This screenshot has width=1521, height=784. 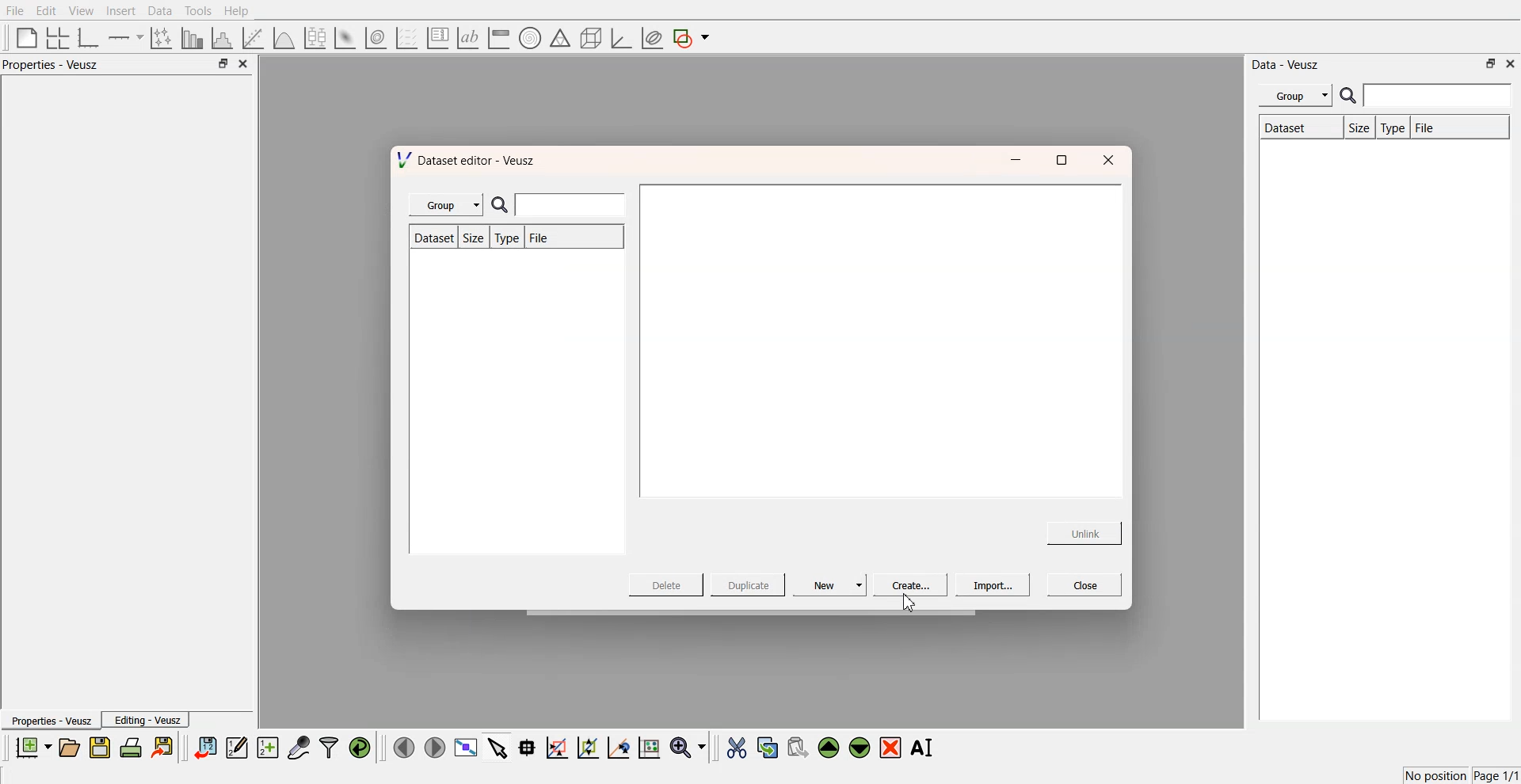 What do you see at coordinates (284, 36) in the screenshot?
I see `plot a function on a graph` at bounding box center [284, 36].